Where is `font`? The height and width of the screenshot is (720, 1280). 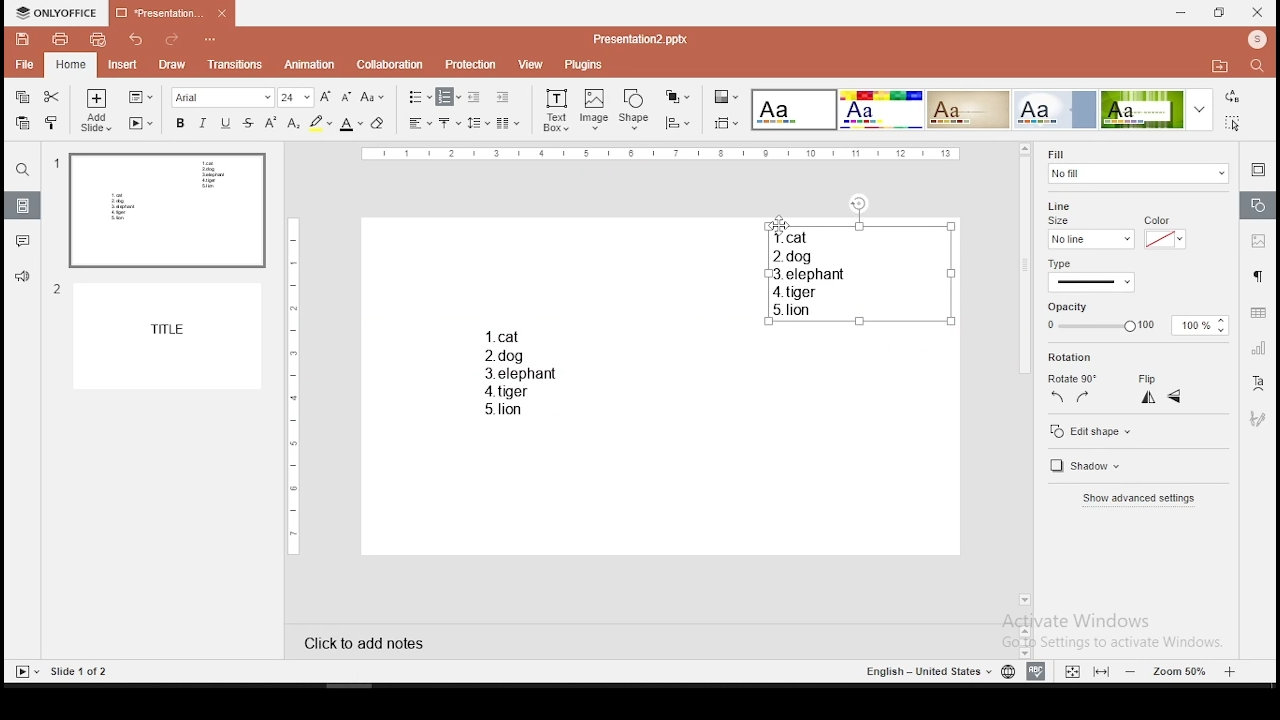 font is located at coordinates (224, 97).